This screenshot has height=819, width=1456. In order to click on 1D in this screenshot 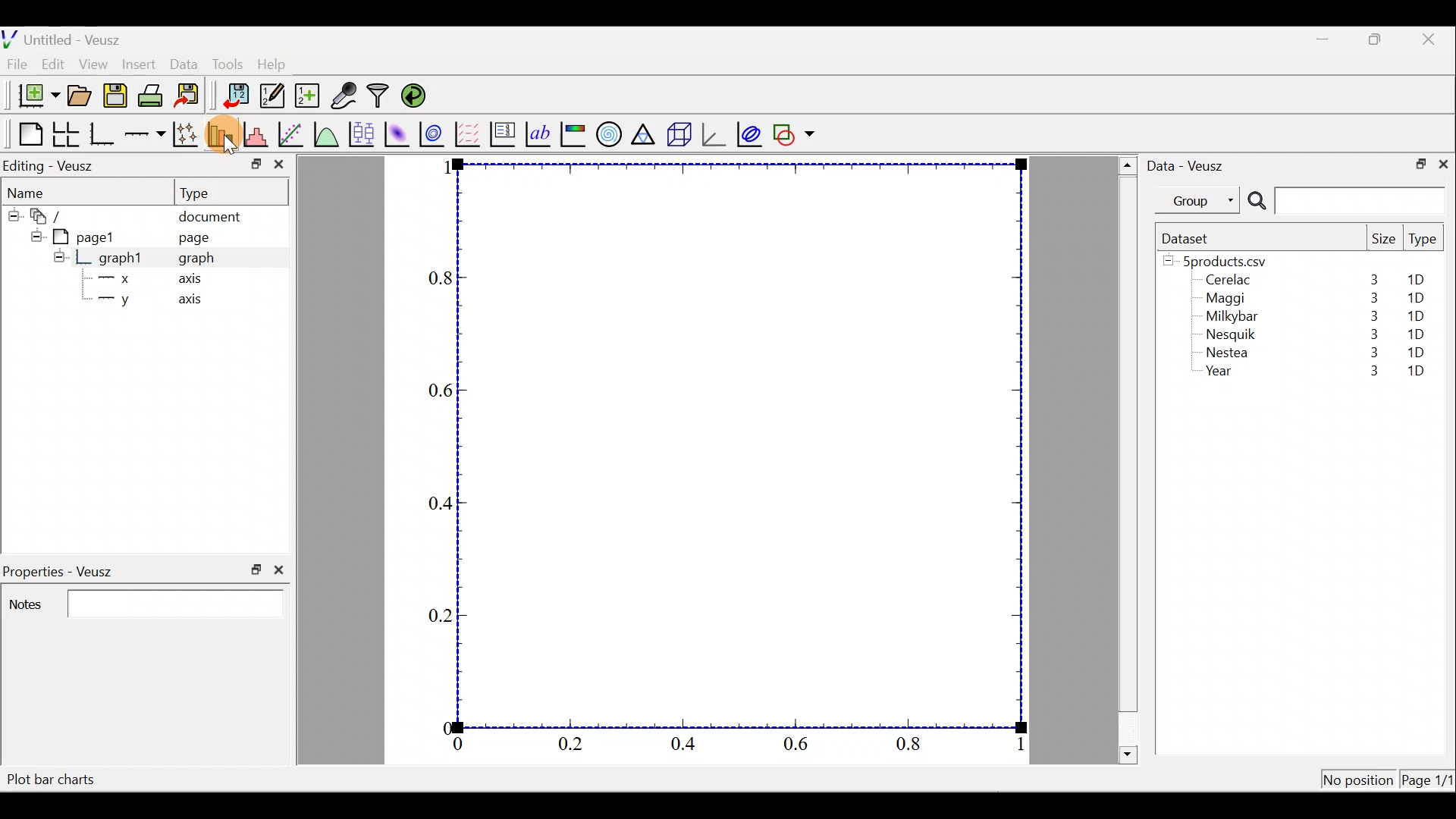, I will do `click(1416, 352)`.